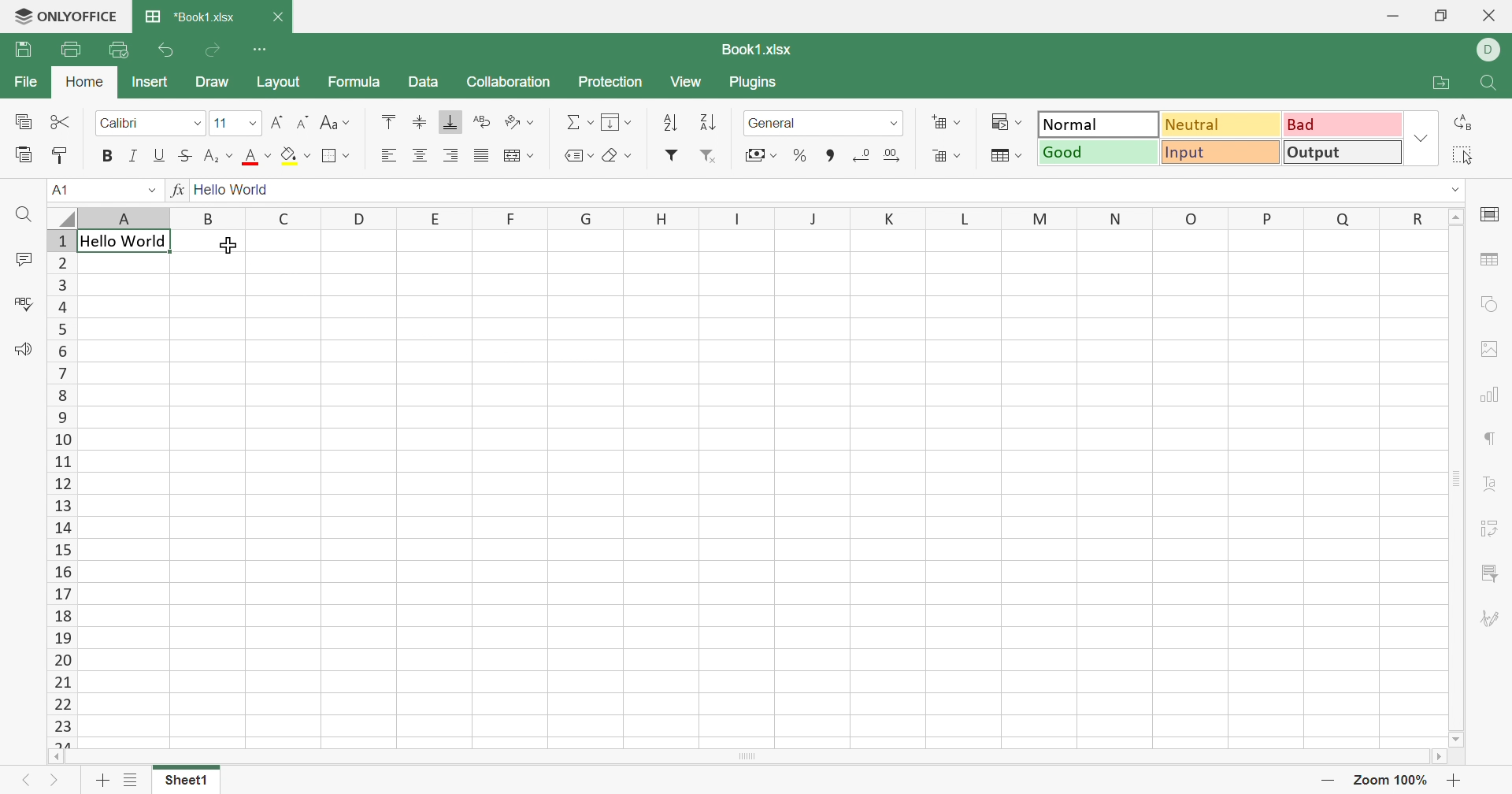 The width and height of the screenshot is (1512, 794). What do you see at coordinates (61, 487) in the screenshot?
I see `Row numbers` at bounding box center [61, 487].